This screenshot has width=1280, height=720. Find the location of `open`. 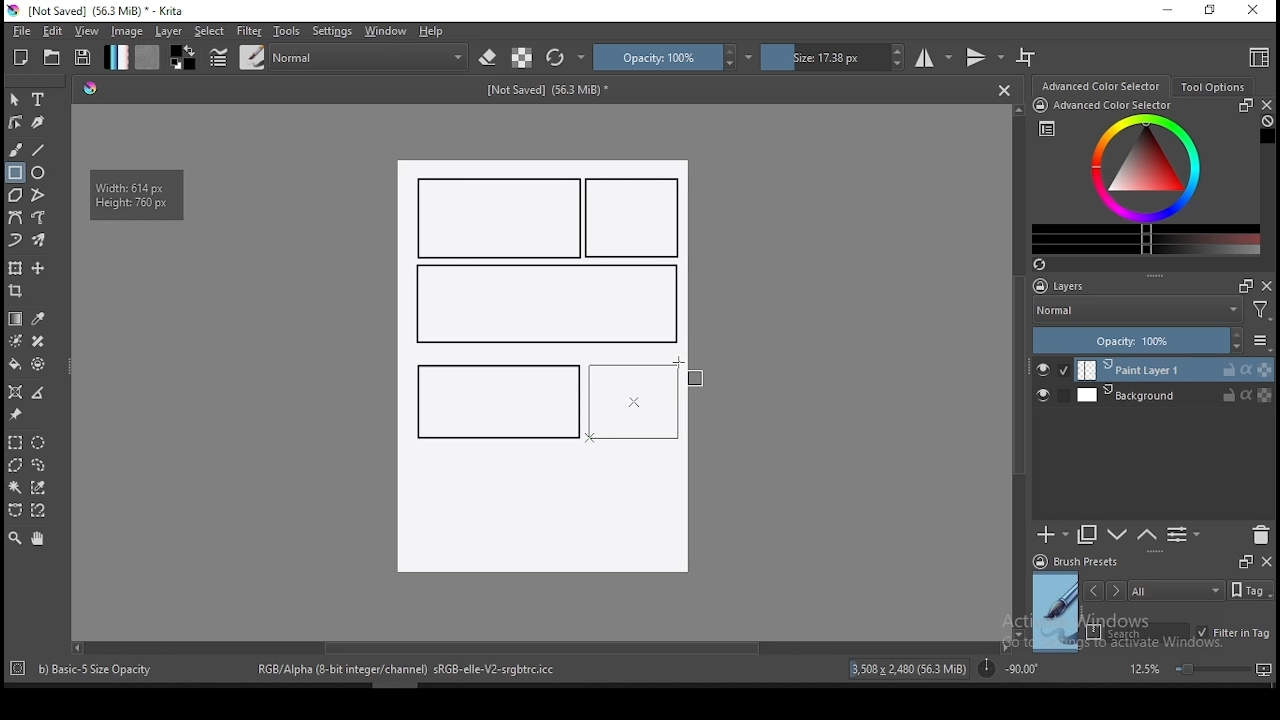

open is located at coordinates (52, 57).